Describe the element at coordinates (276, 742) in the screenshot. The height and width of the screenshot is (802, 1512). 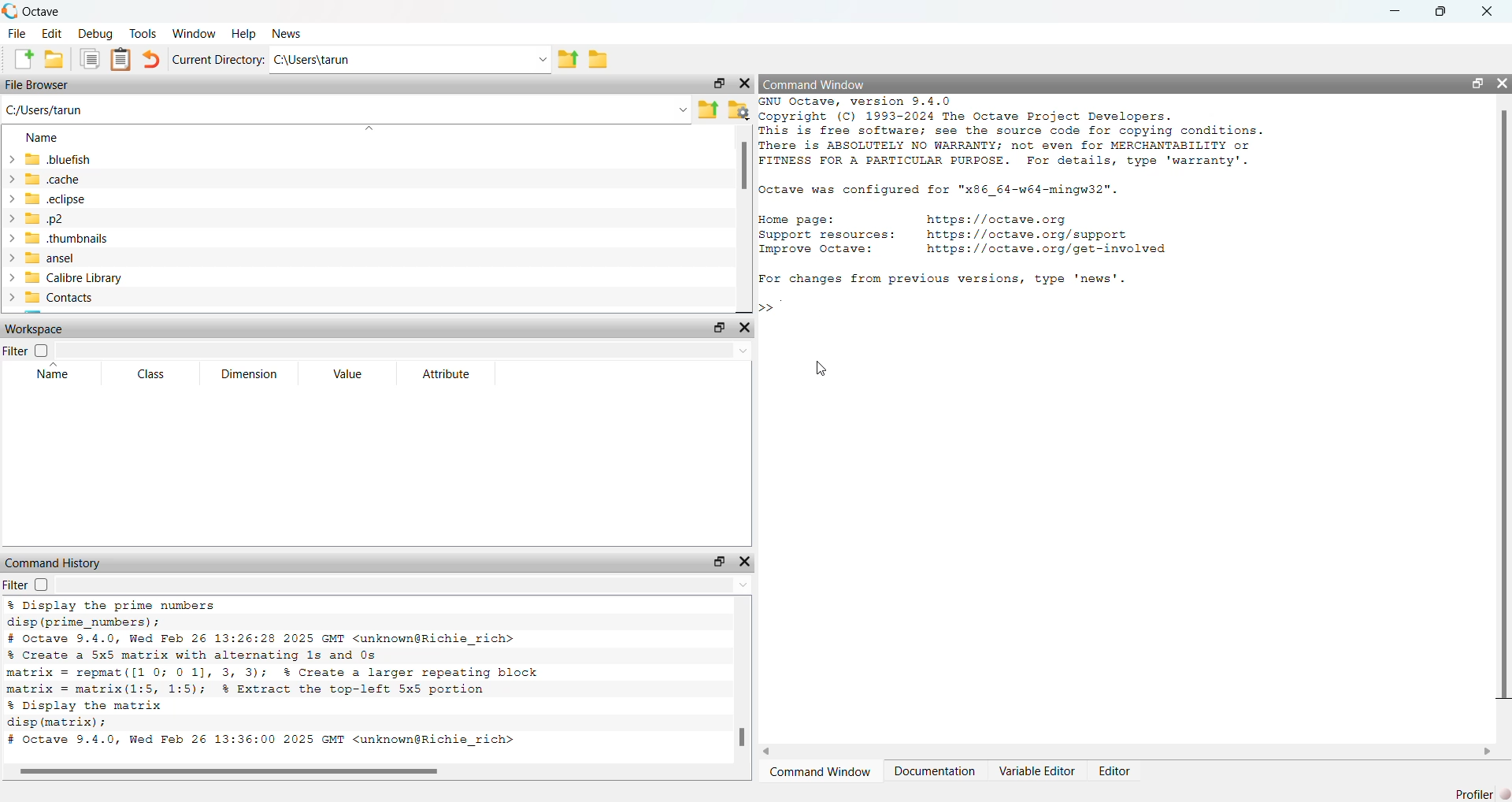
I see `octave version and date` at that location.